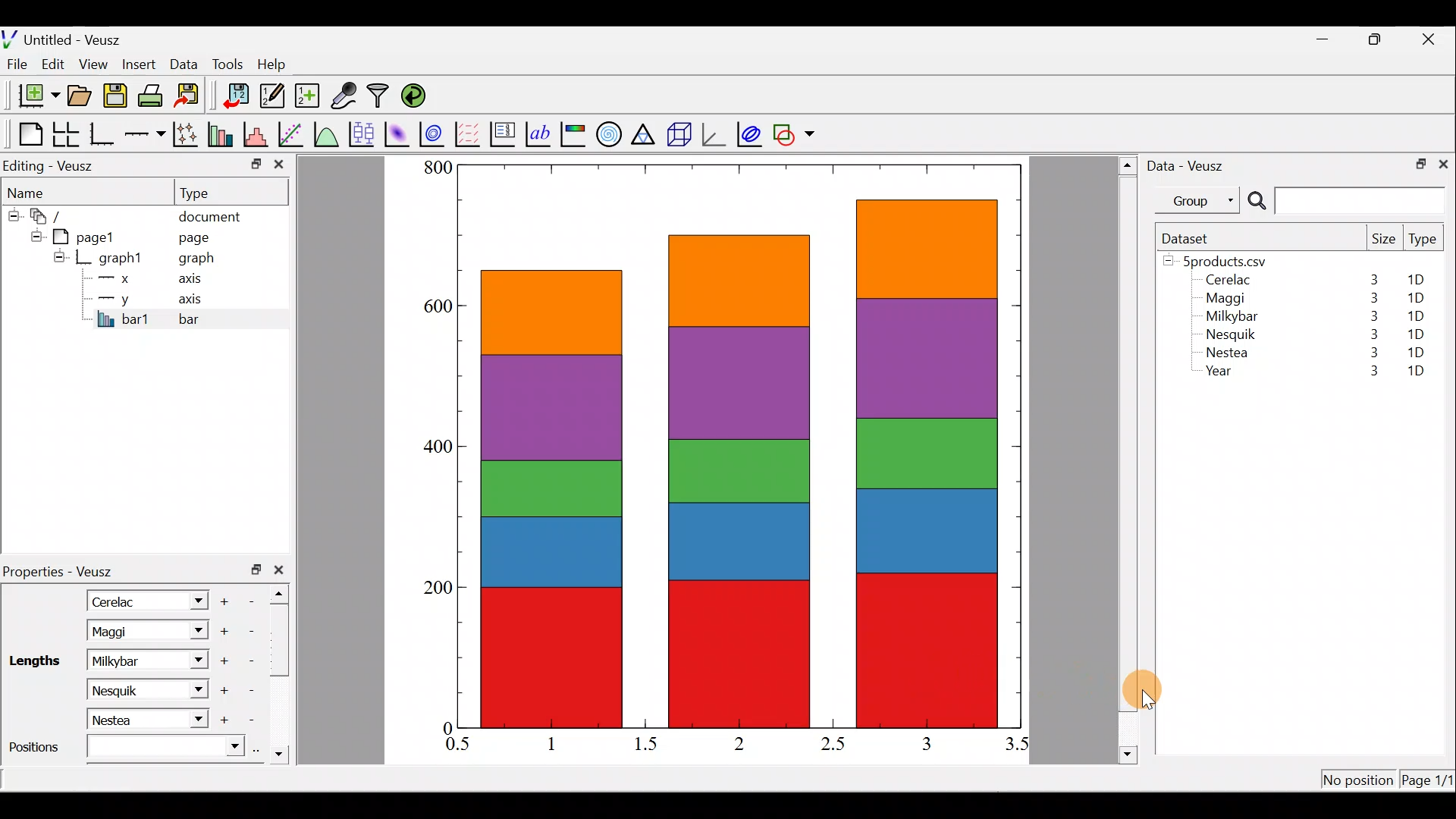  Describe the element at coordinates (795, 132) in the screenshot. I see `Add a shape to the plot.` at that location.